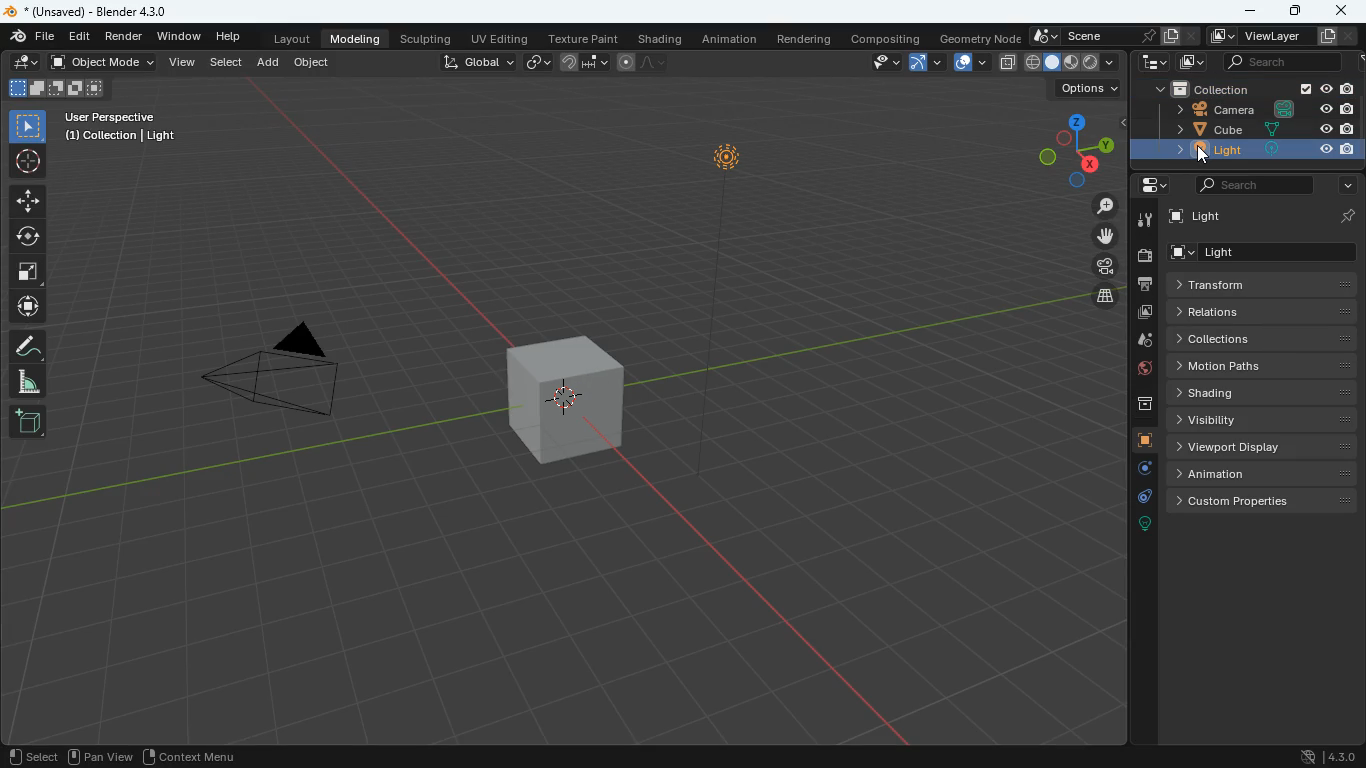  I want to click on transform, so click(1265, 284).